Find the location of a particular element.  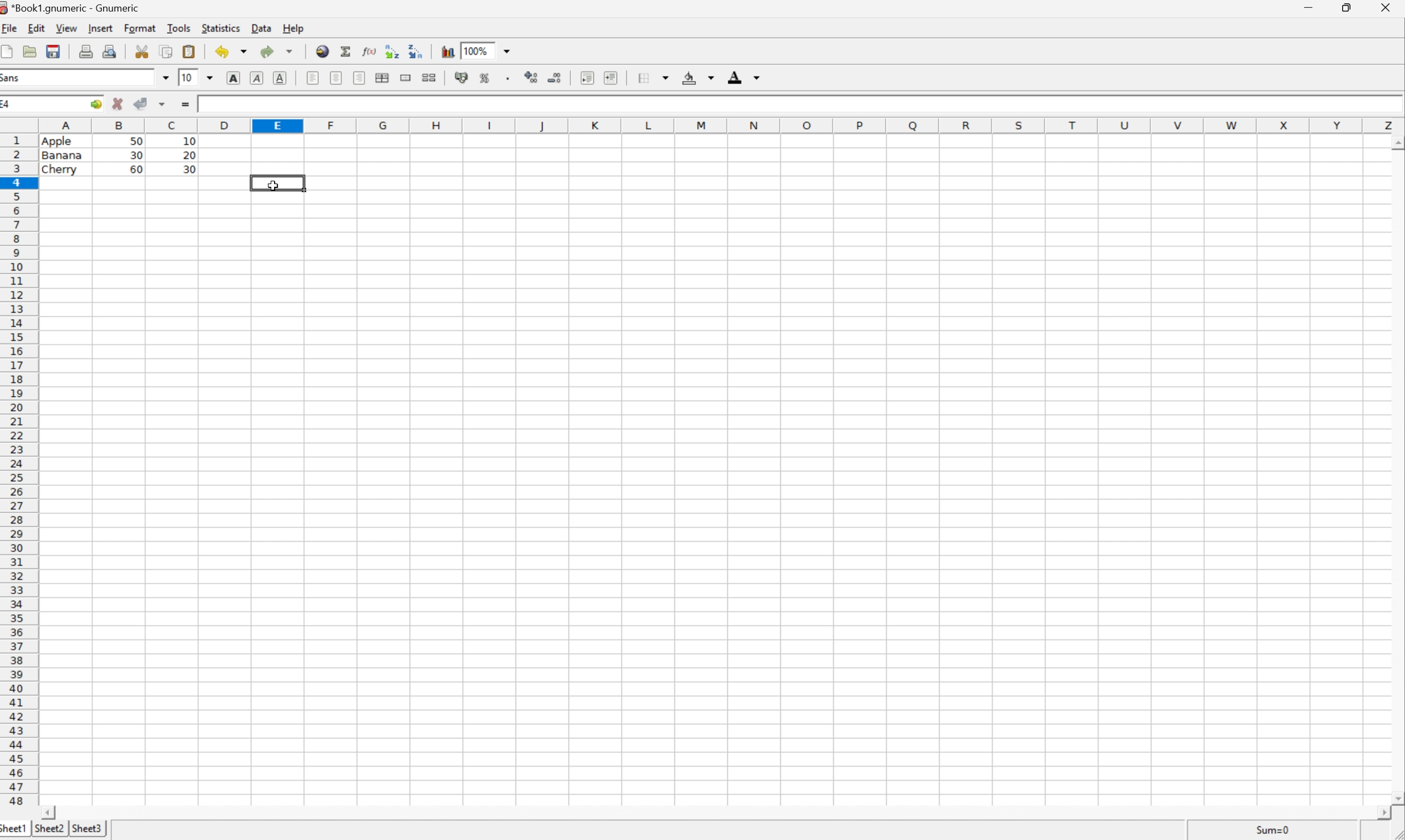

close is located at coordinates (1389, 8).